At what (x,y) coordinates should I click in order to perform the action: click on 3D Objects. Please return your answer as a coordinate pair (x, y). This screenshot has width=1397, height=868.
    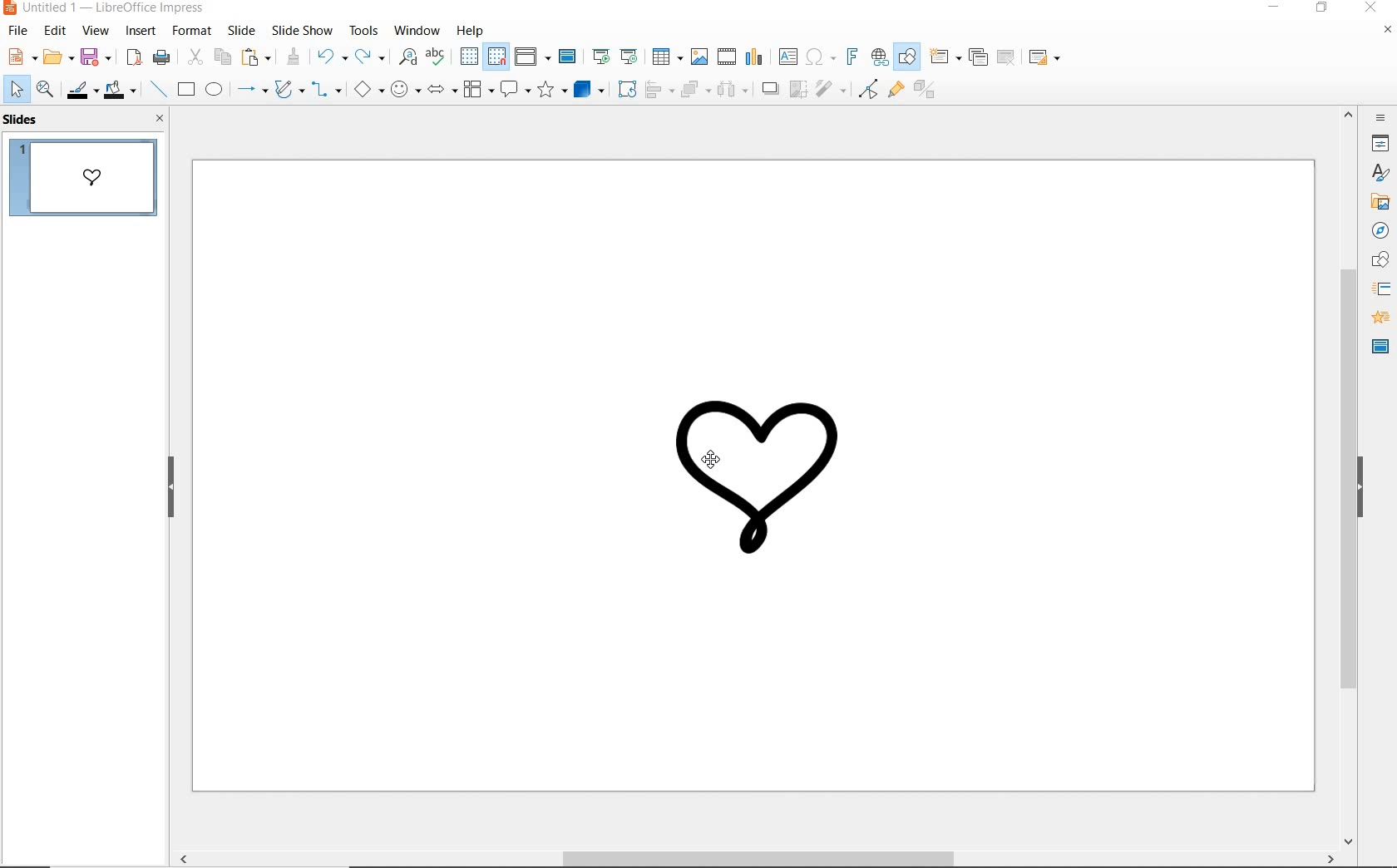
    Looking at the image, I should click on (590, 89).